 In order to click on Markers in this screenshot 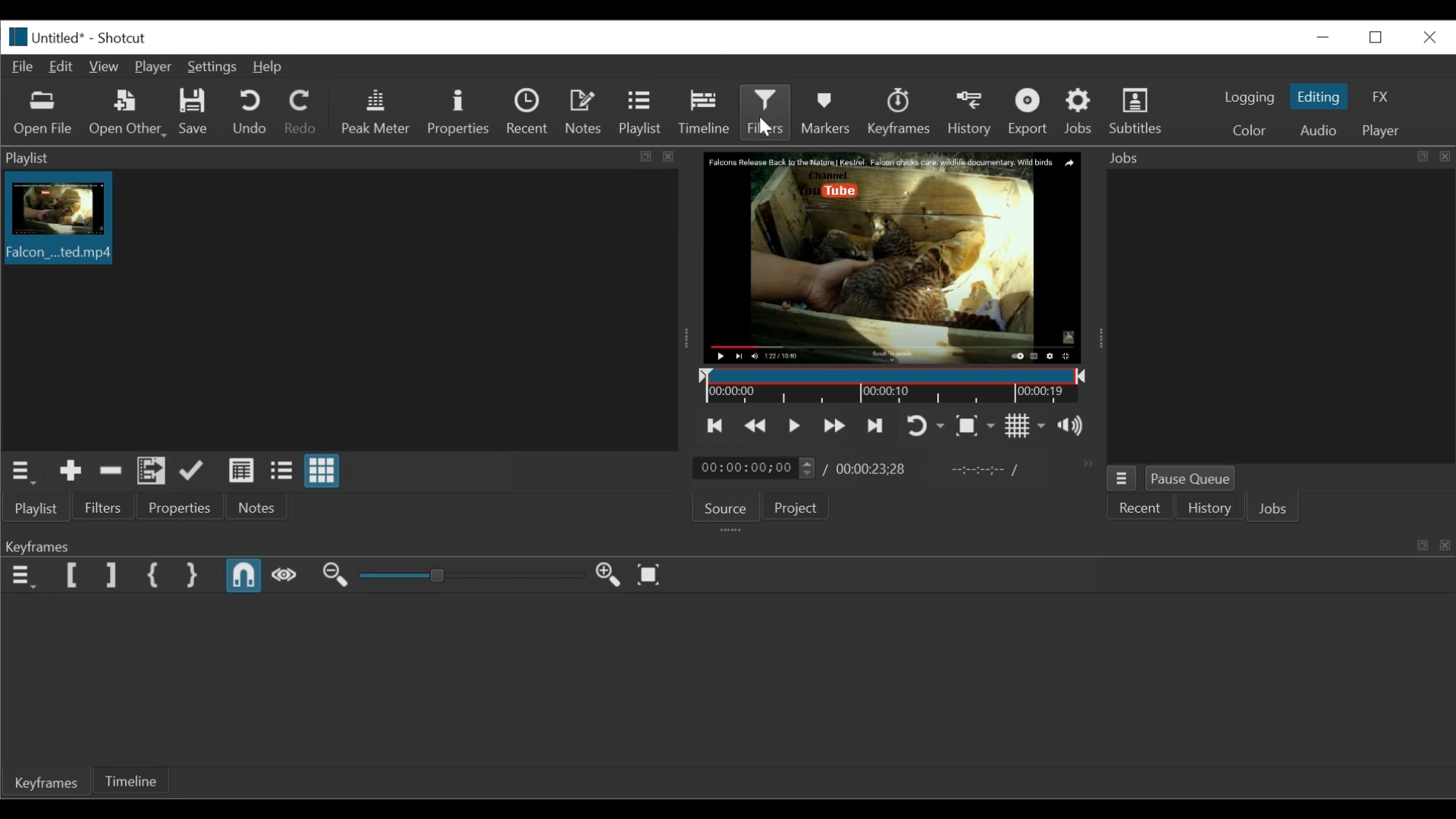, I will do `click(827, 111)`.